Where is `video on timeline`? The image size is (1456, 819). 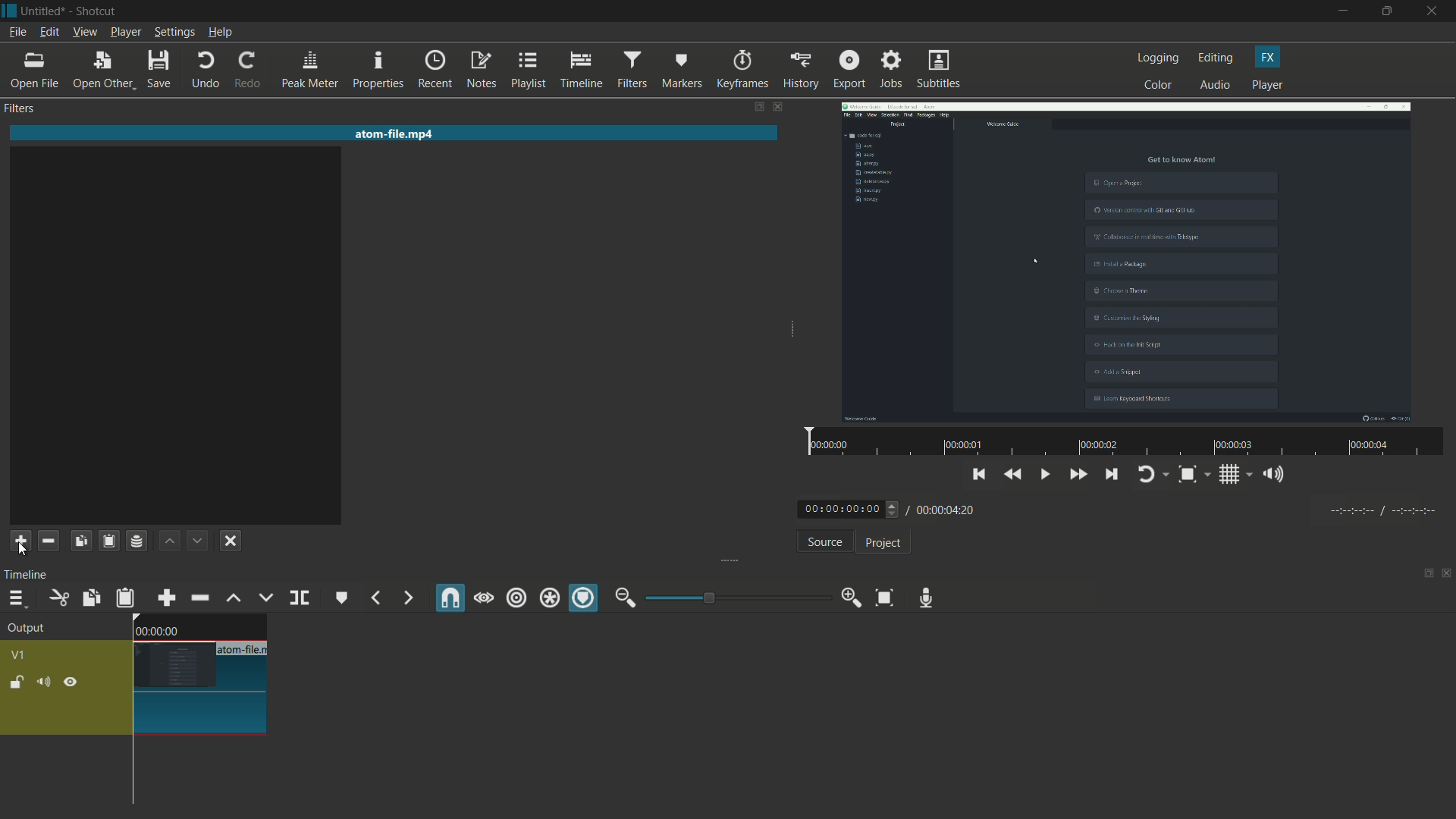 video on timeline is located at coordinates (198, 661).